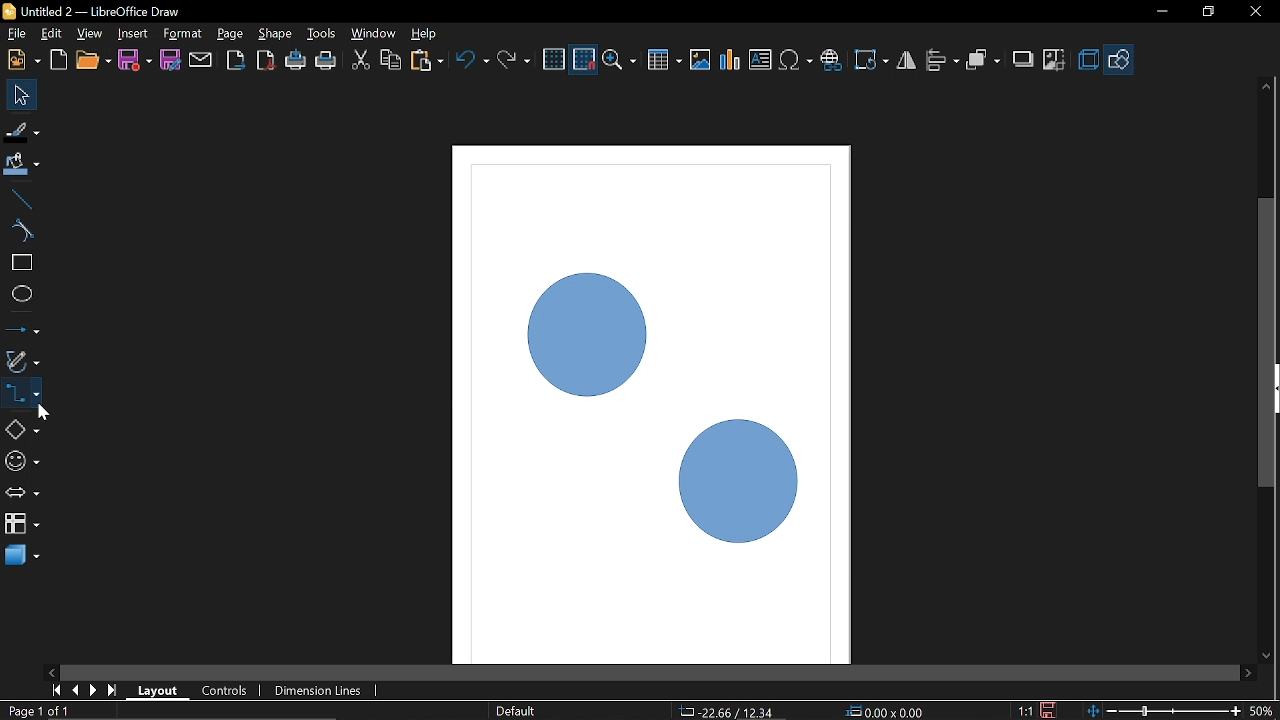 This screenshot has width=1280, height=720. What do you see at coordinates (984, 61) in the screenshot?
I see `Arrange` at bounding box center [984, 61].